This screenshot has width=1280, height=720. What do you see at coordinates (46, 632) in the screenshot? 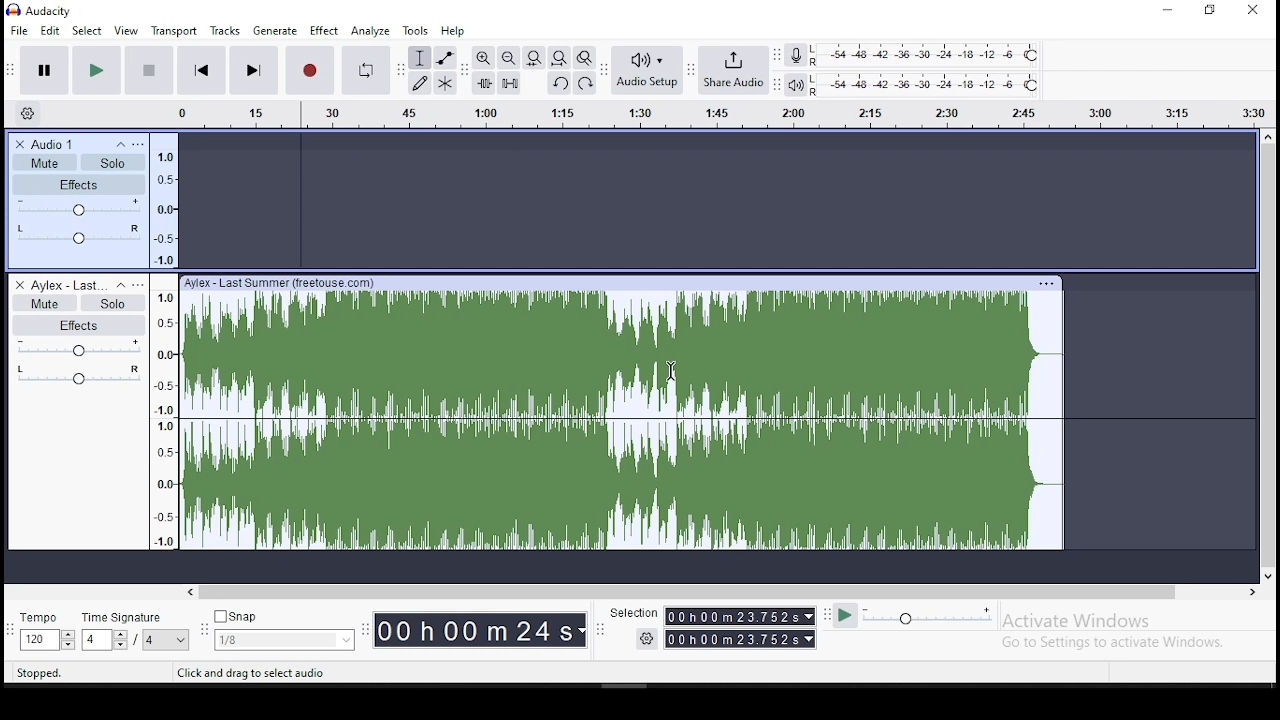
I see `tempo` at bounding box center [46, 632].